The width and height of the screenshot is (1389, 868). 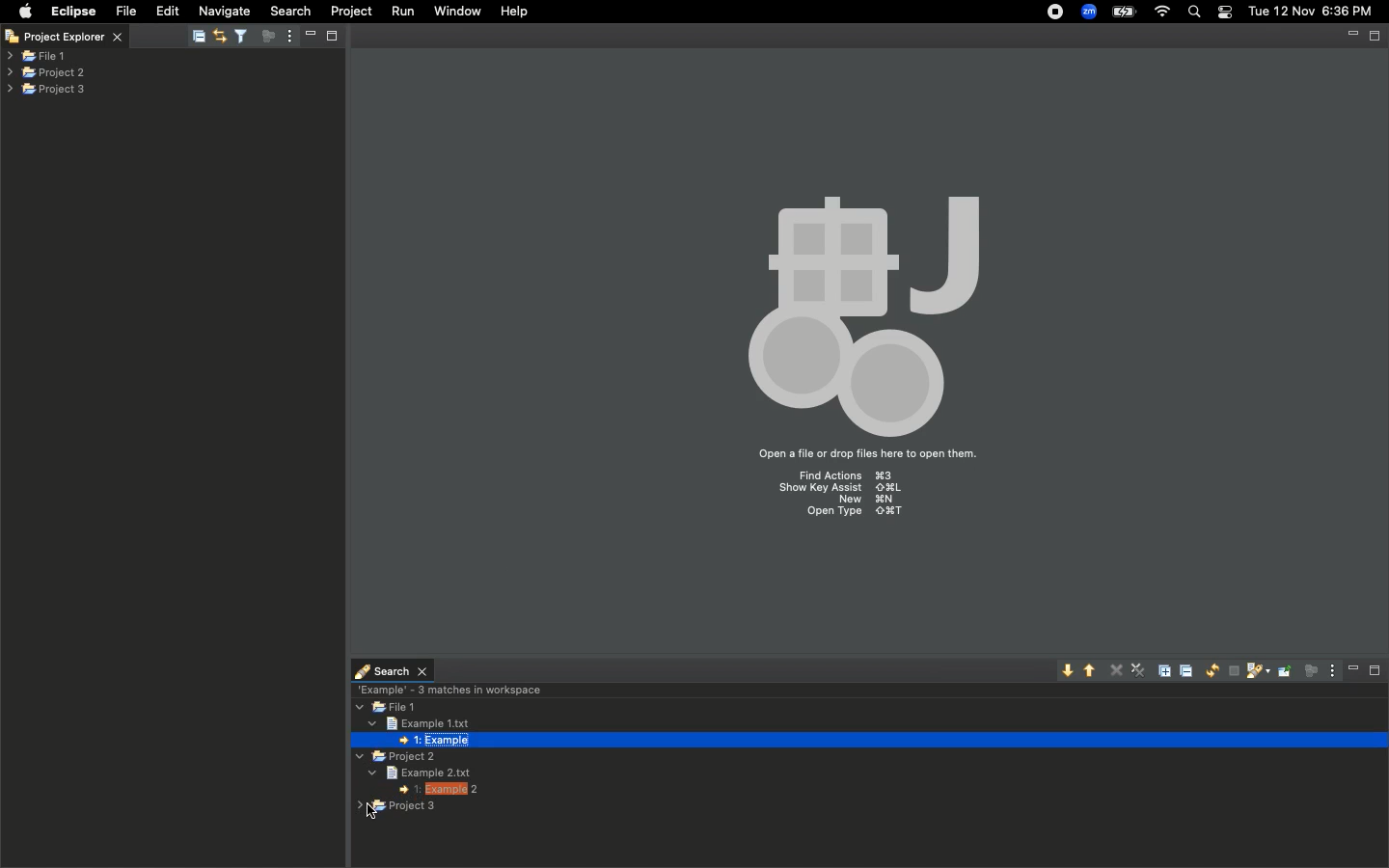 I want to click on Zoom, so click(x=1090, y=12).